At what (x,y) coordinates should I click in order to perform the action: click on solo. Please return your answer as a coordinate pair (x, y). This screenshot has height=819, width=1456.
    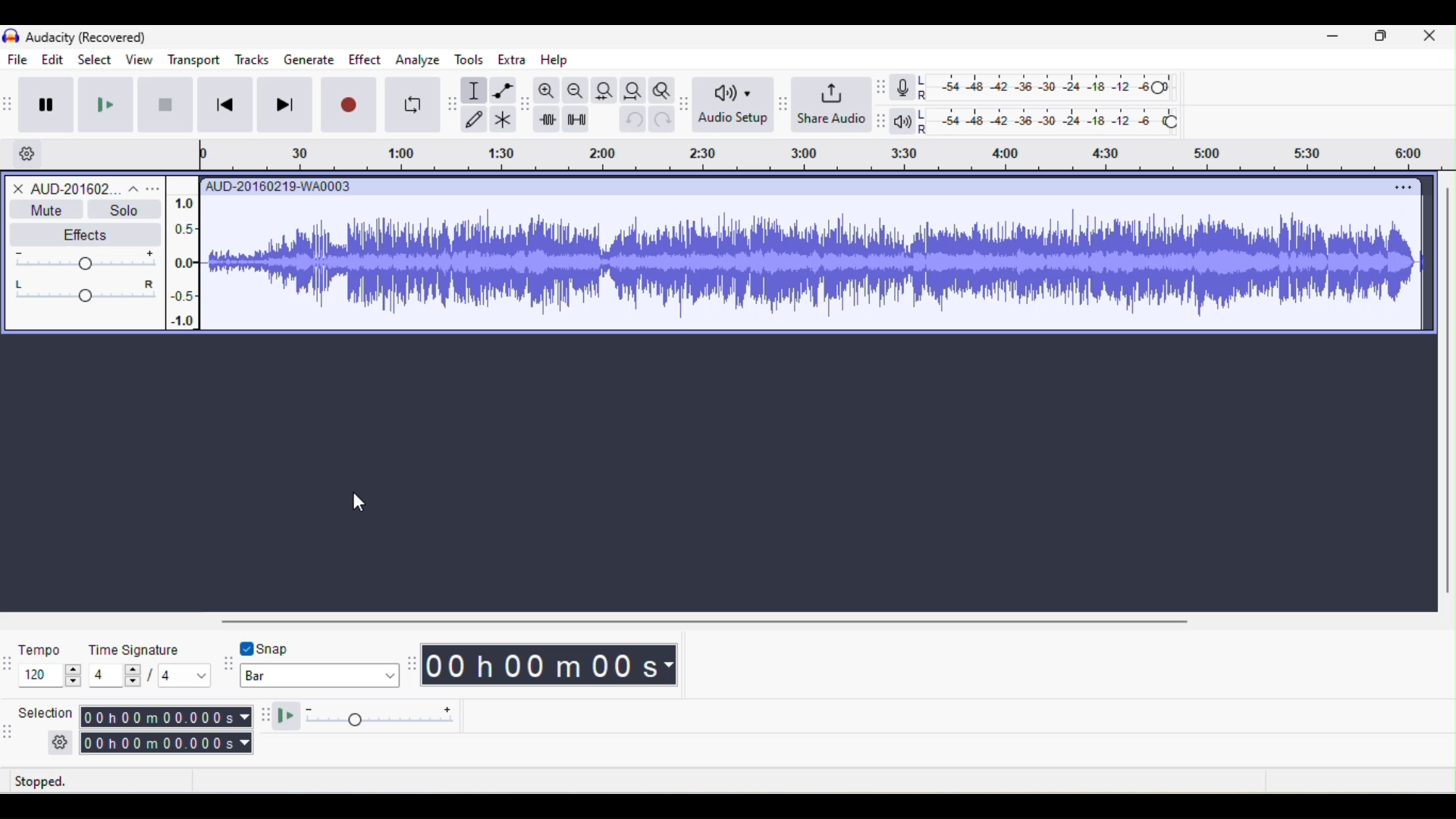
    Looking at the image, I should click on (124, 209).